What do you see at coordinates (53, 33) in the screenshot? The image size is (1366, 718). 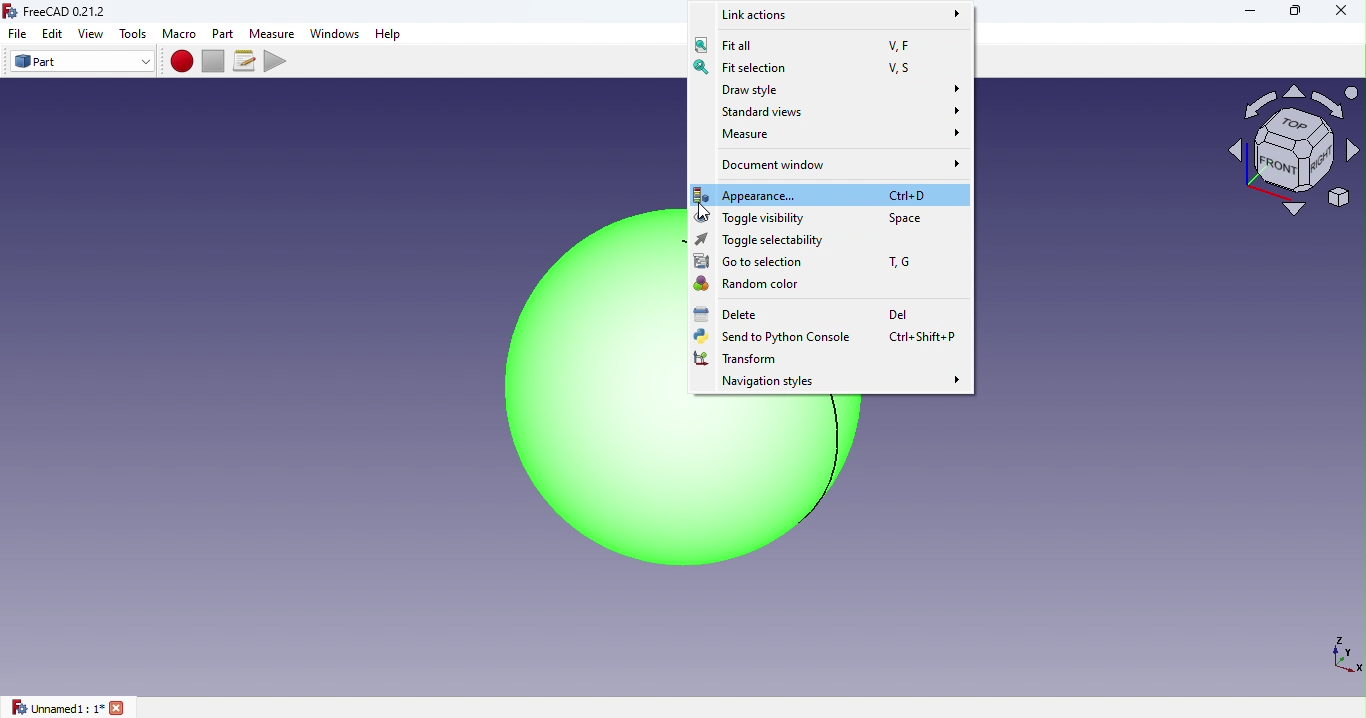 I see `Edit` at bounding box center [53, 33].